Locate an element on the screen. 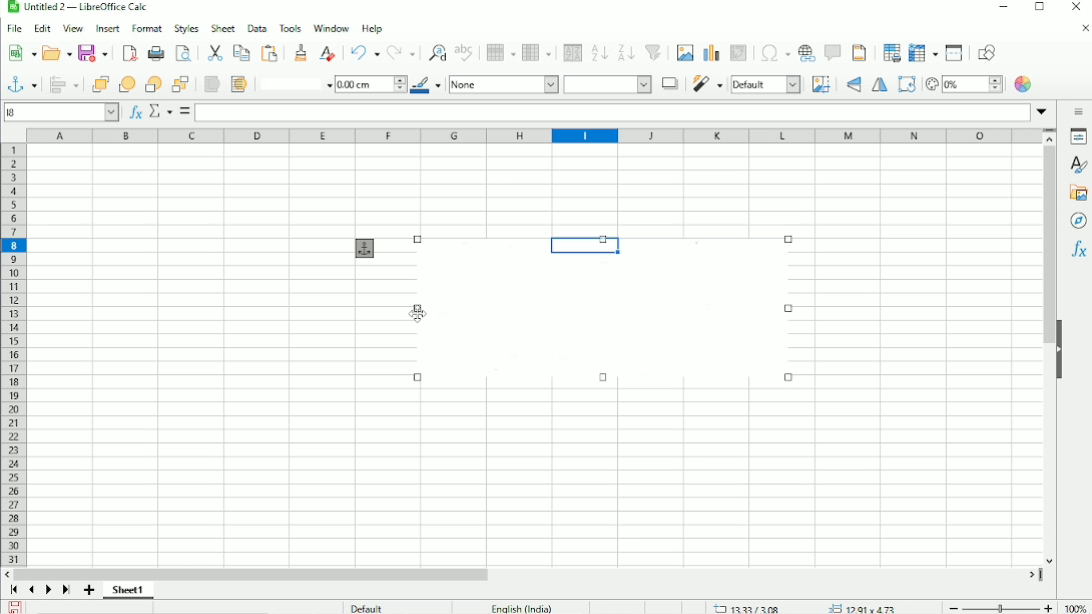 The width and height of the screenshot is (1092, 614). Properties is located at coordinates (1078, 137).